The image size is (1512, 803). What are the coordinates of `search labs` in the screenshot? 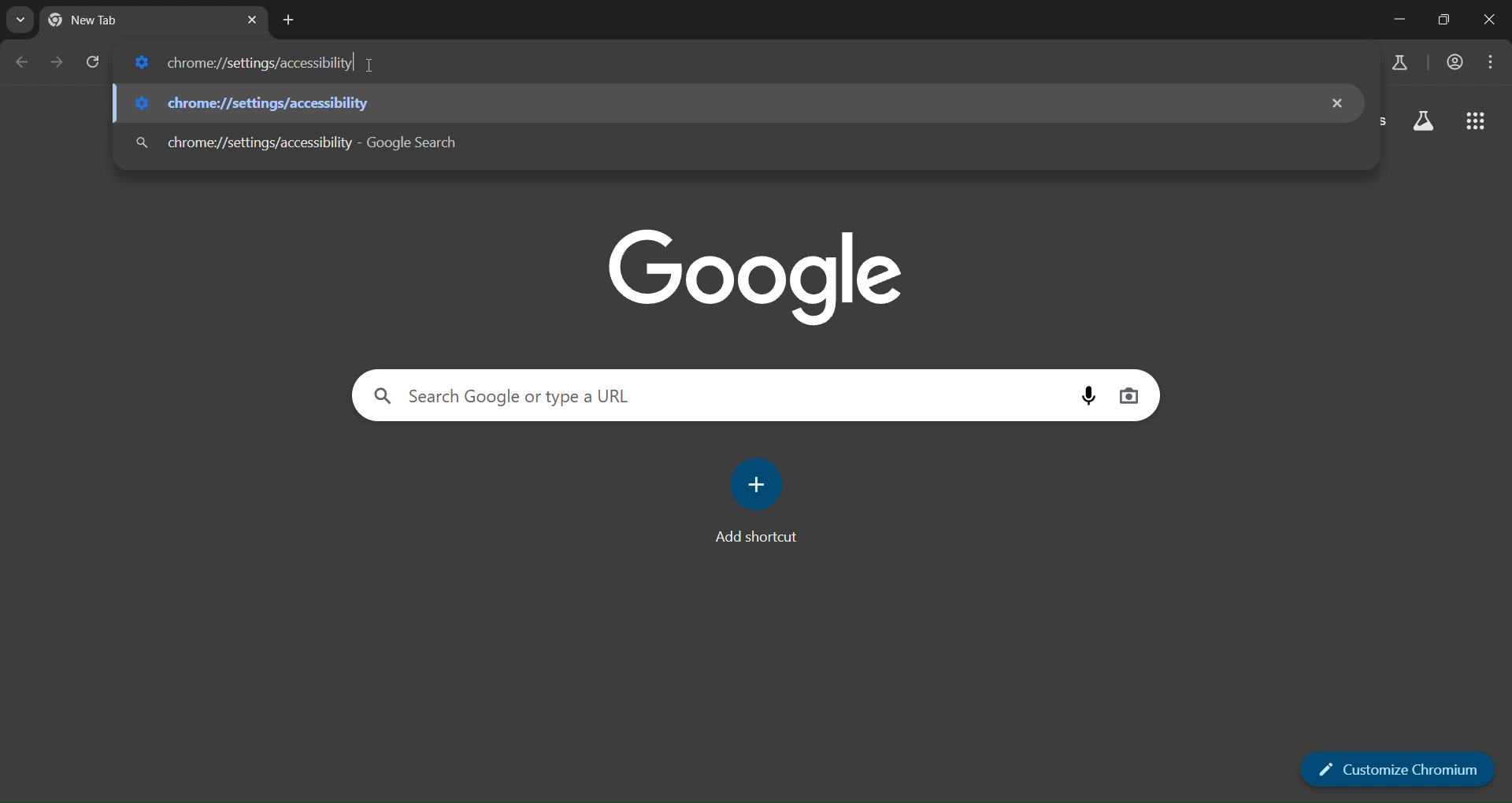 It's located at (1425, 124).